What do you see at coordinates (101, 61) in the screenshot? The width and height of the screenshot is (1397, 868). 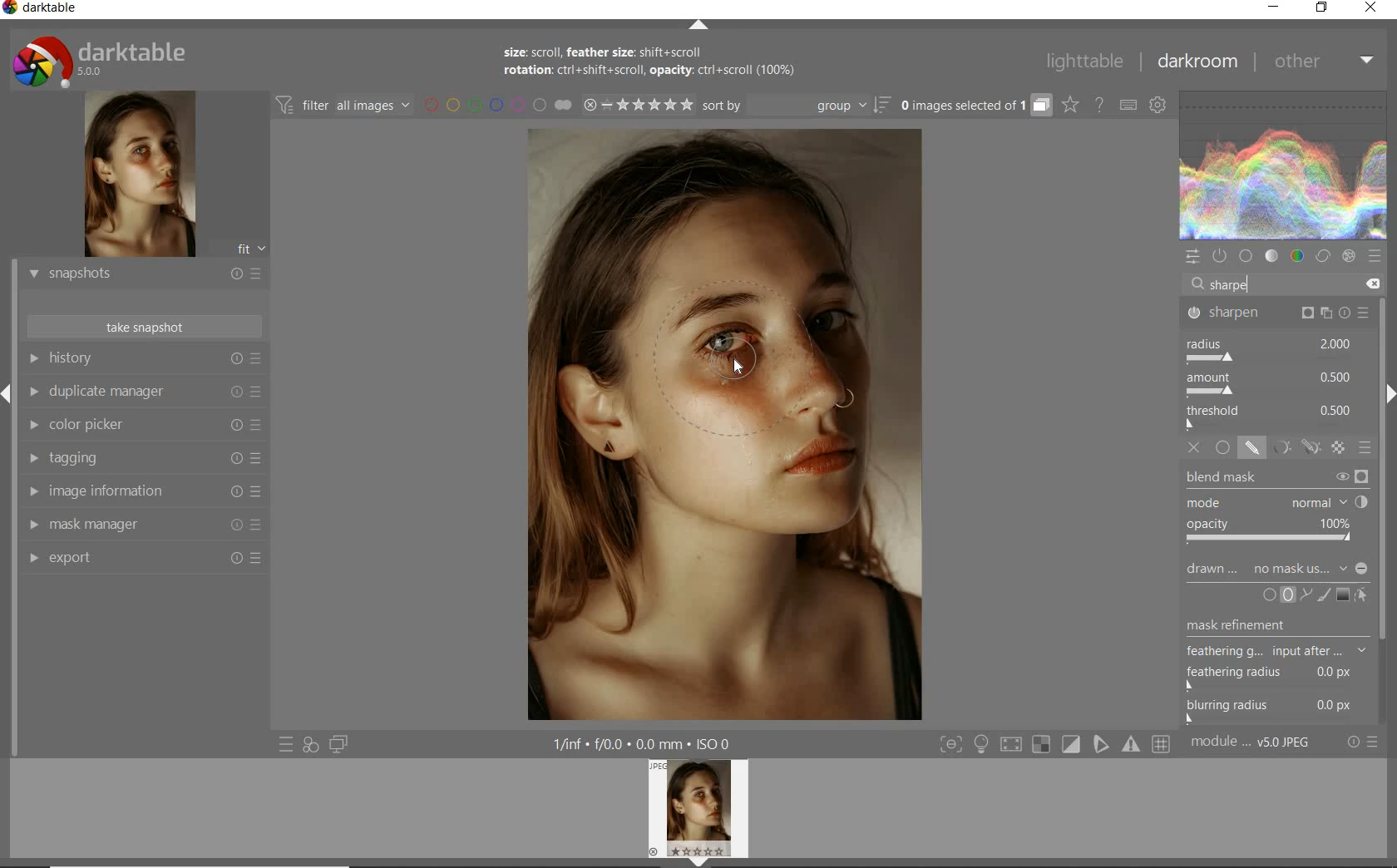 I see `system logo` at bounding box center [101, 61].